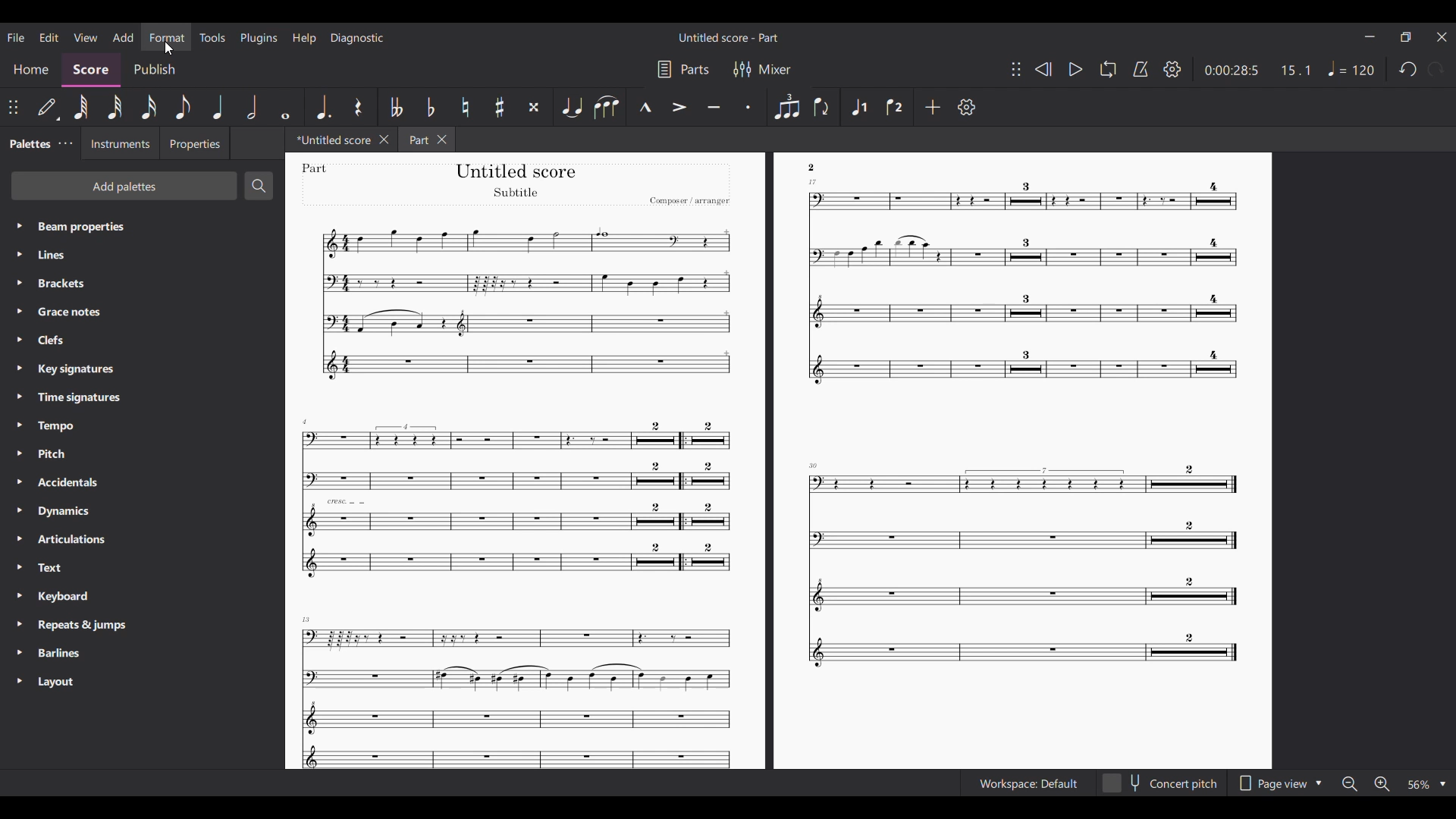  Describe the element at coordinates (895, 107) in the screenshot. I see `Voice 2` at that location.